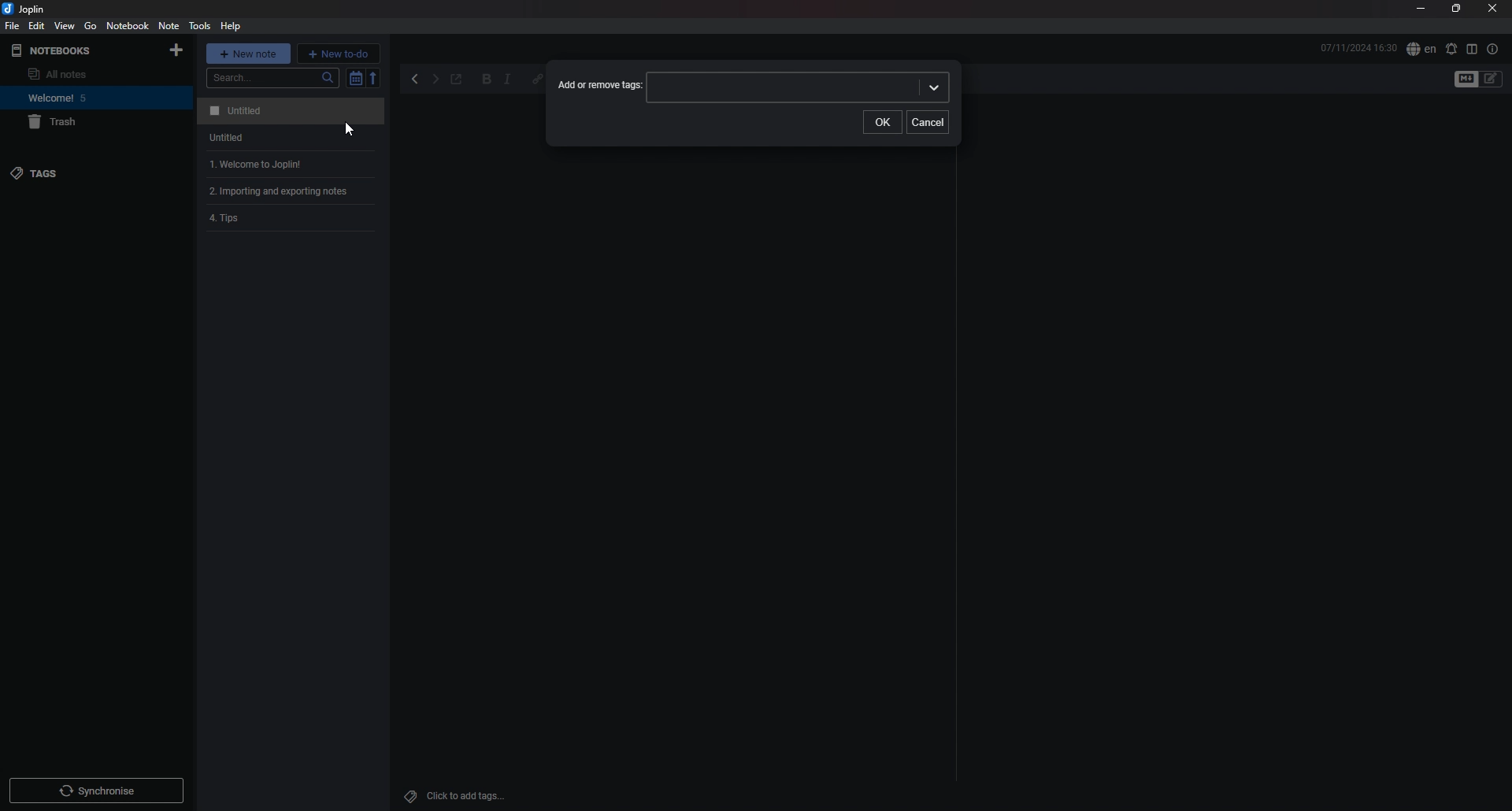  What do you see at coordinates (346, 128) in the screenshot?
I see `Cursor` at bounding box center [346, 128].